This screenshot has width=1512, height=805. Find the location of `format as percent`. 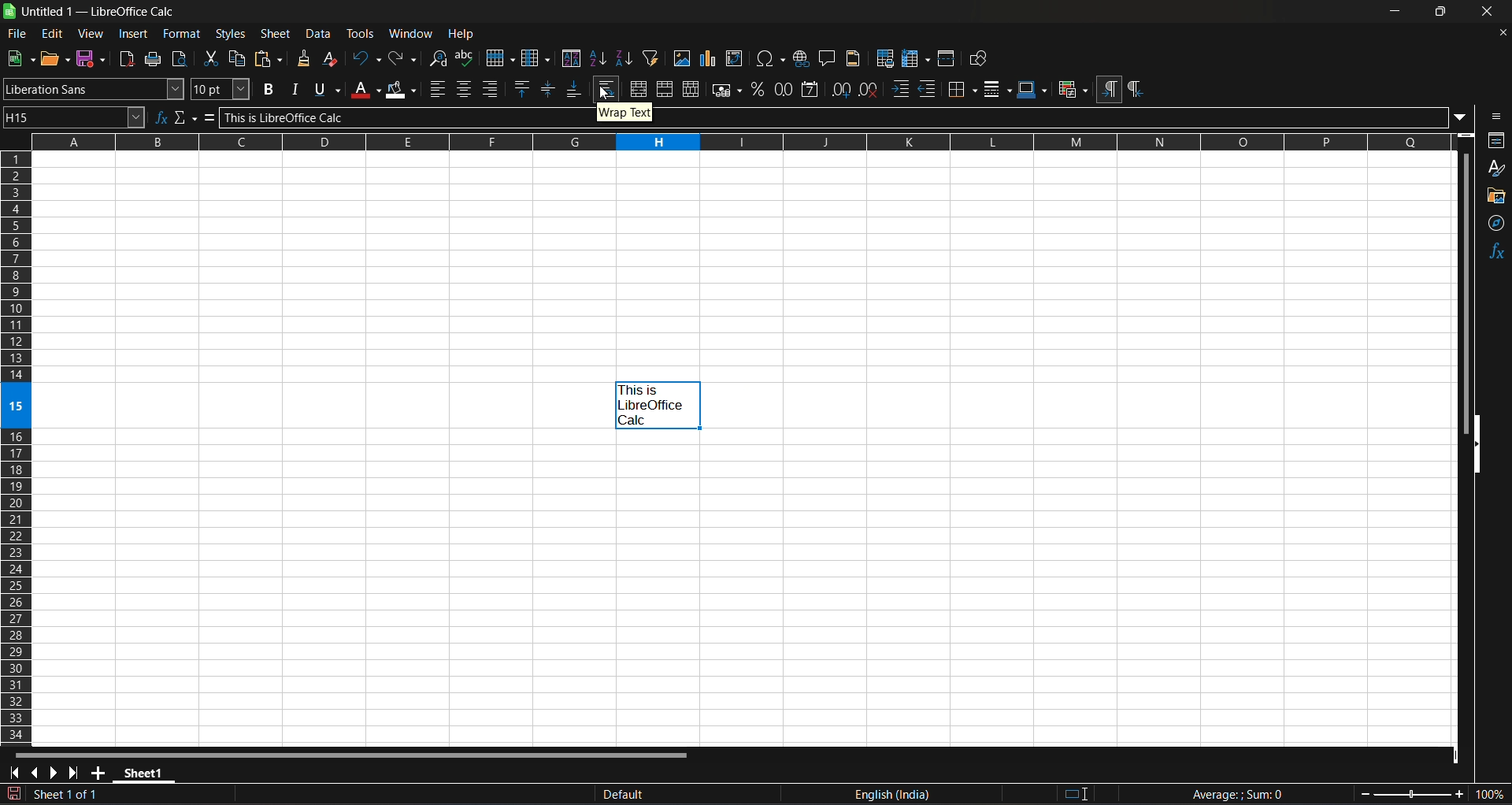

format as percent is located at coordinates (757, 90).